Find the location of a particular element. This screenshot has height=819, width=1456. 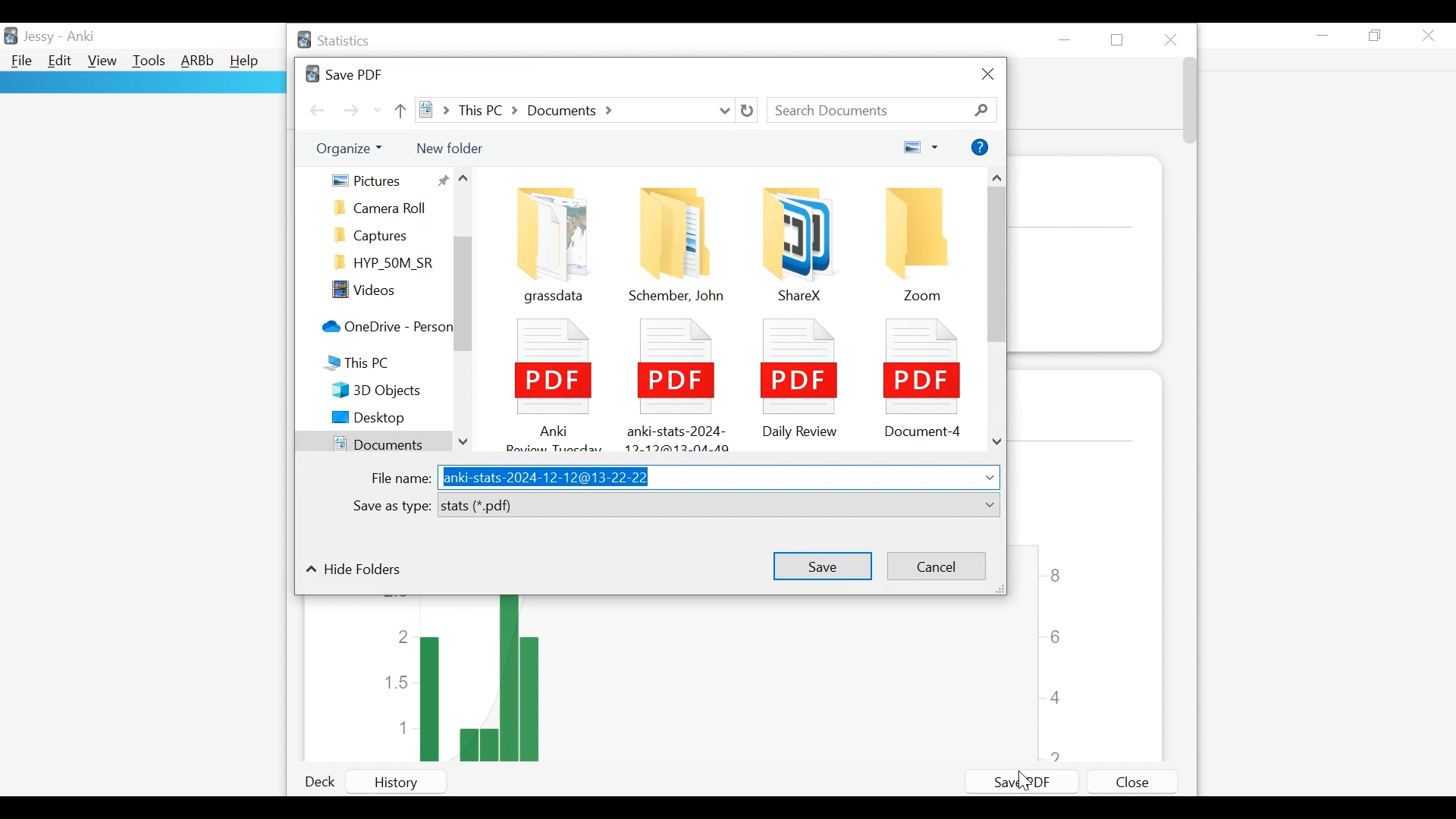

Go Forward is located at coordinates (352, 111).